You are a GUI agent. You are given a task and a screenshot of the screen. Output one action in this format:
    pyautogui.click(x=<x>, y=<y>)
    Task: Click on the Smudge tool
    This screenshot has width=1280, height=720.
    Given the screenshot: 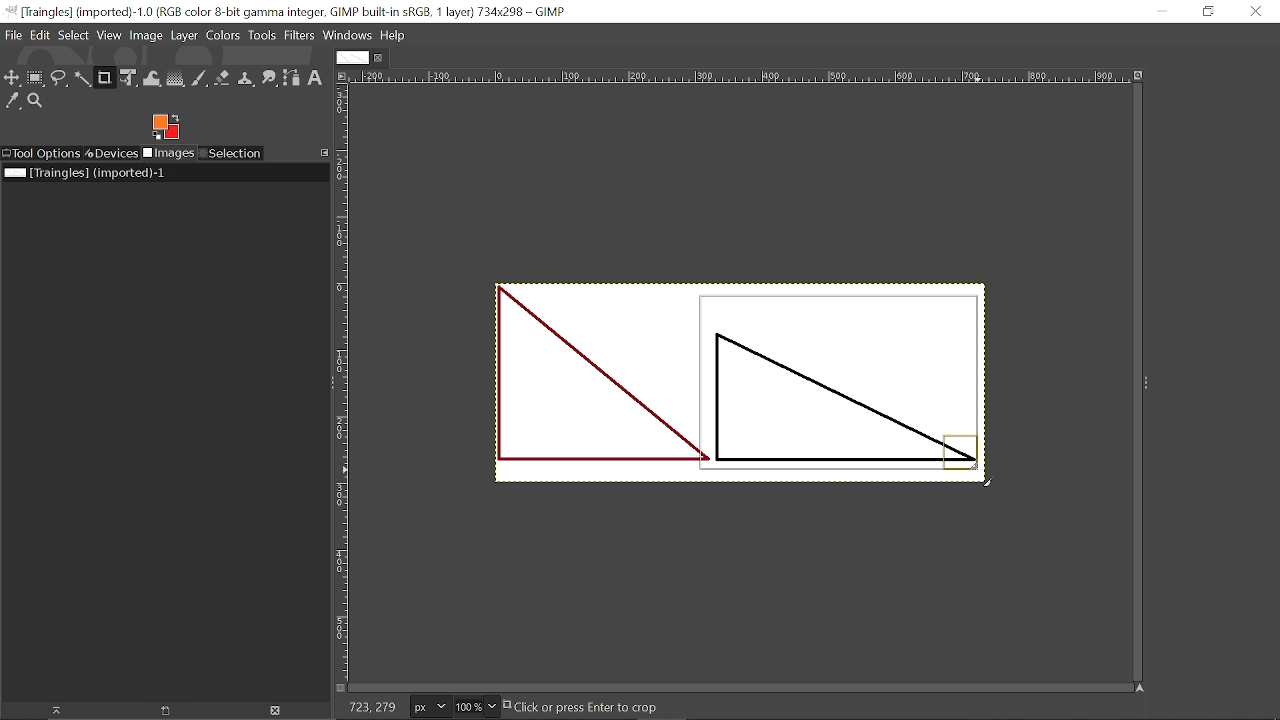 What is the action you would take?
    pyautogui.click(x=268, y=79)
    